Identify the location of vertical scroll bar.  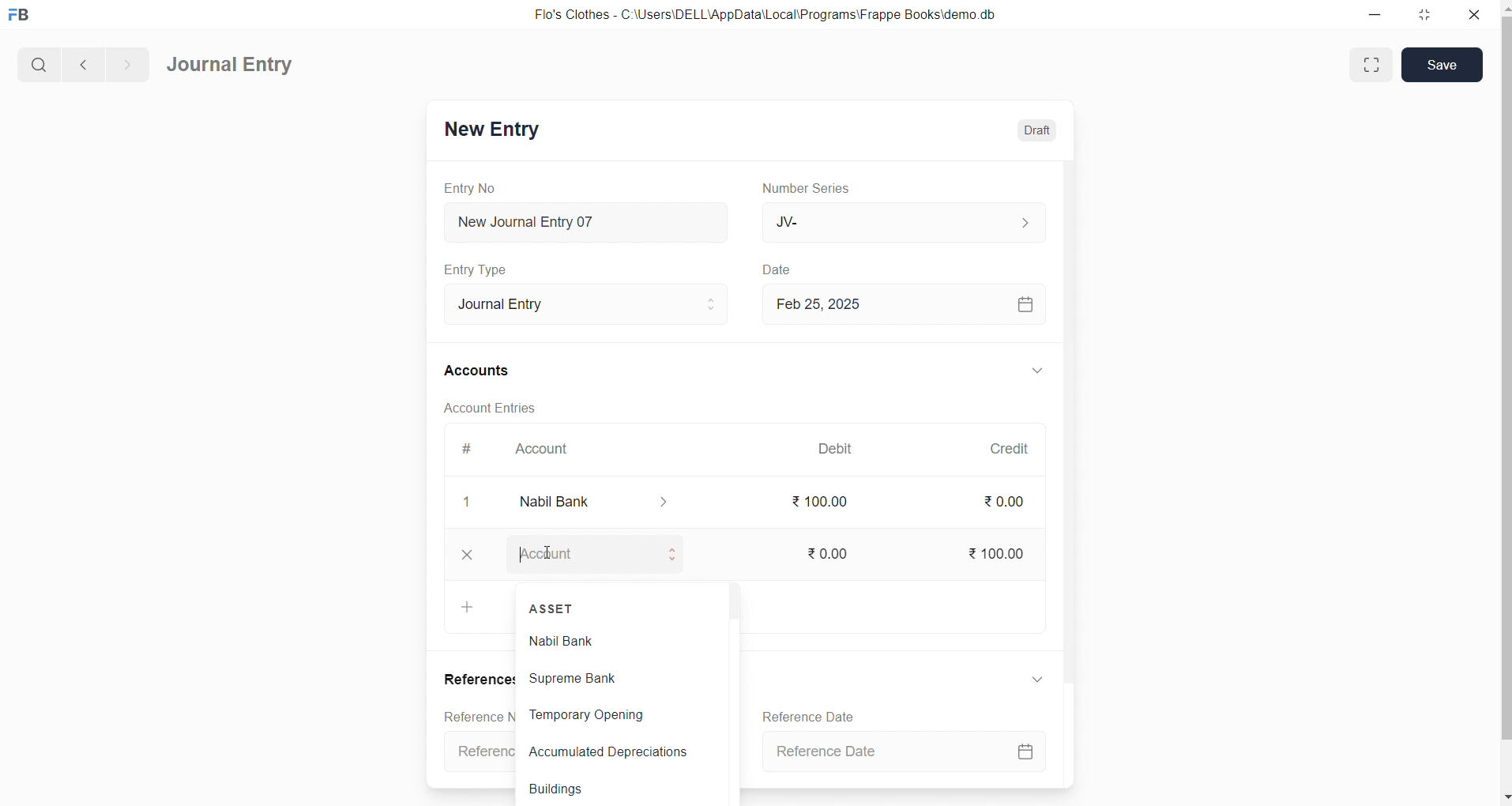
(1503, 401).